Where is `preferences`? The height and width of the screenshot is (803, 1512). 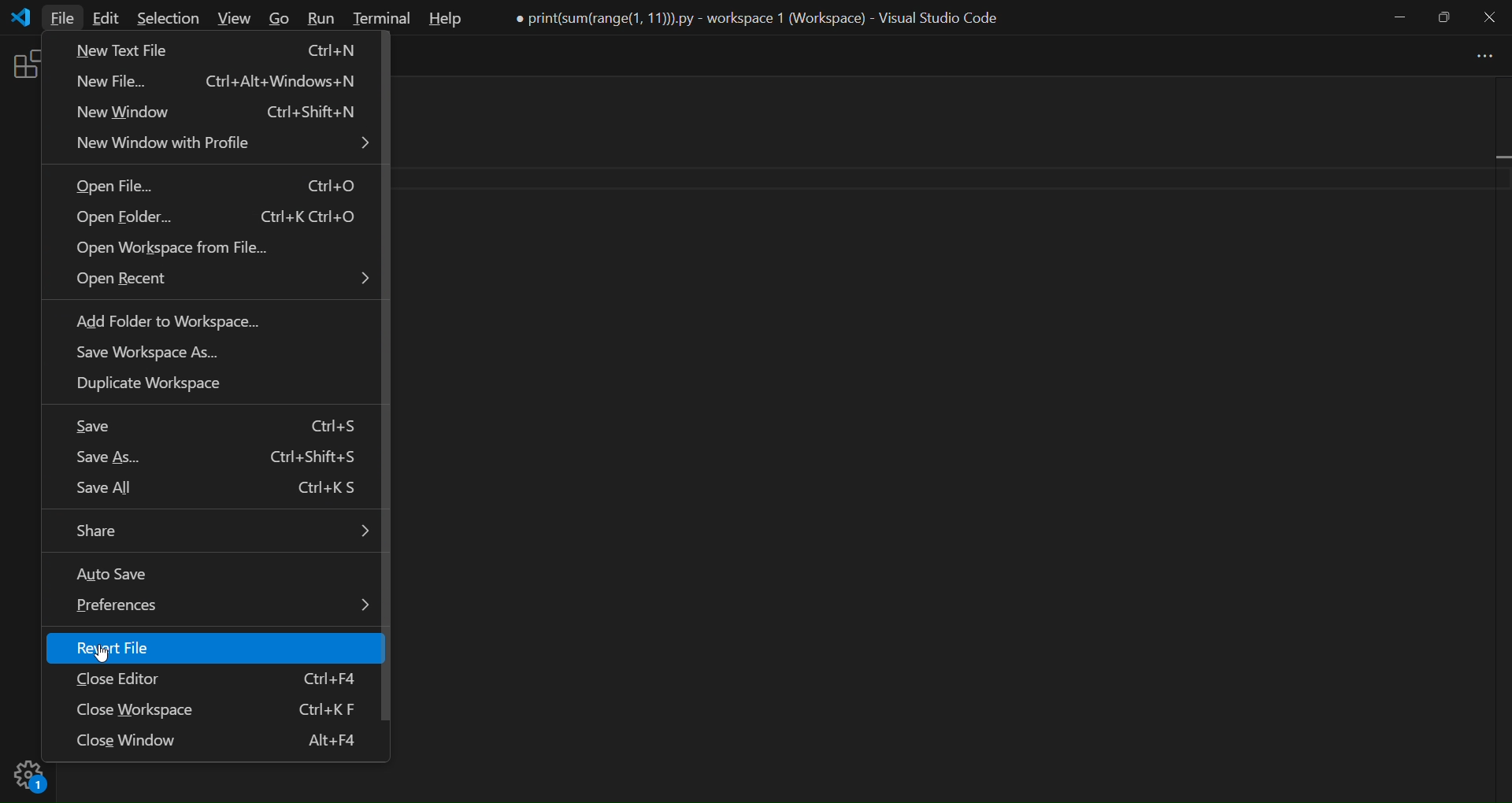
preferences is located at coordinates (224, 605).